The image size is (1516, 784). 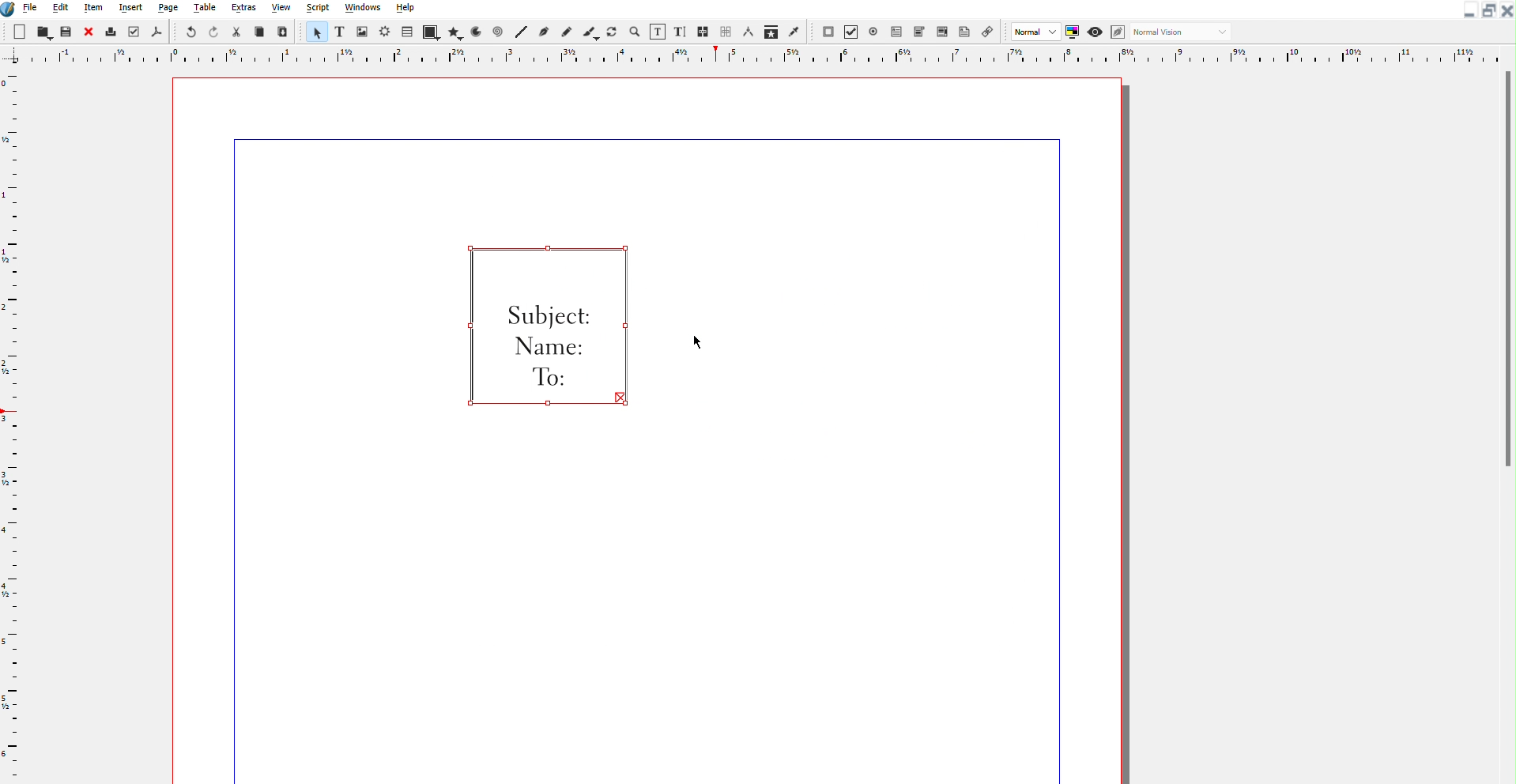 What do you see at coordinates (67, 33) in the screenshot?
I see `Save` at bounding box center [67, 33].